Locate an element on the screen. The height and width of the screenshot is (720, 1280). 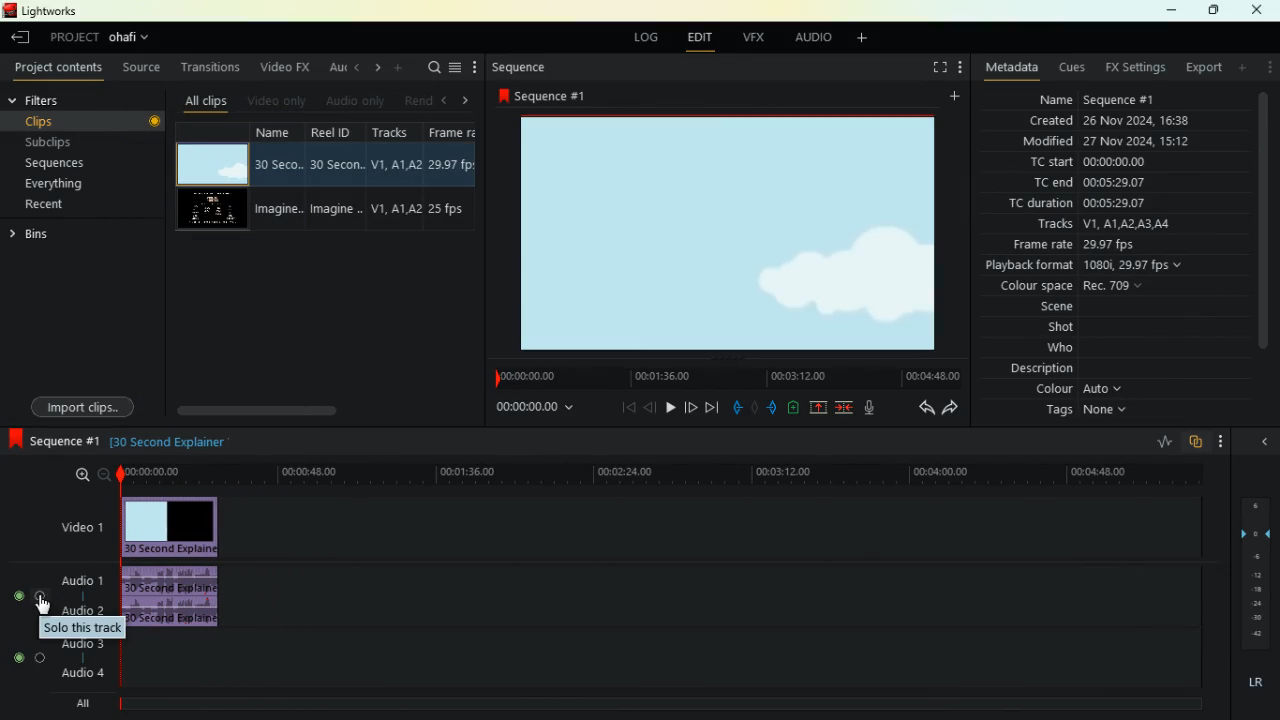
clips is located at coordinates (92, 122).